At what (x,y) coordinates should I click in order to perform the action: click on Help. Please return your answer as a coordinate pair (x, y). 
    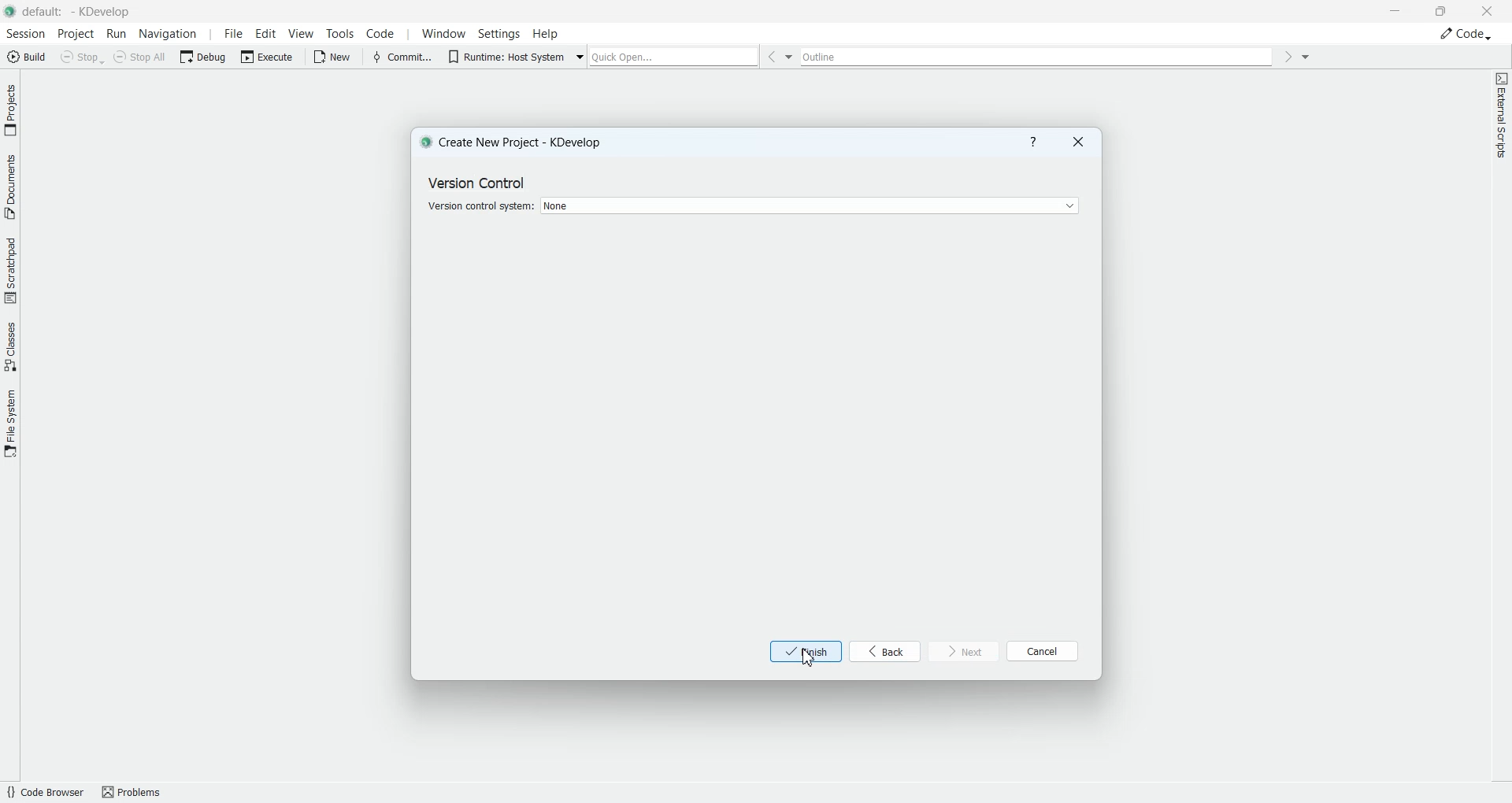
    Looking at the image, I should click on (546, 33).